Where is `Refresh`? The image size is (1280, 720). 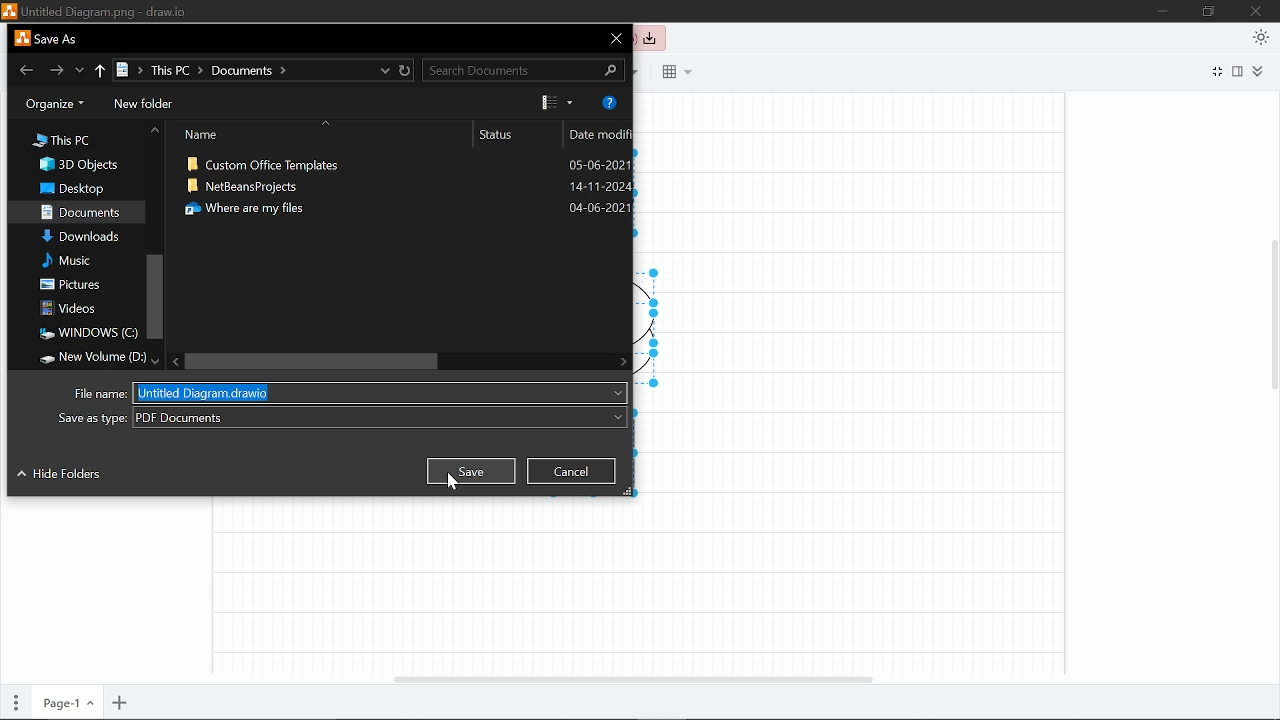
Refresh is located at coordinates (408, 69).